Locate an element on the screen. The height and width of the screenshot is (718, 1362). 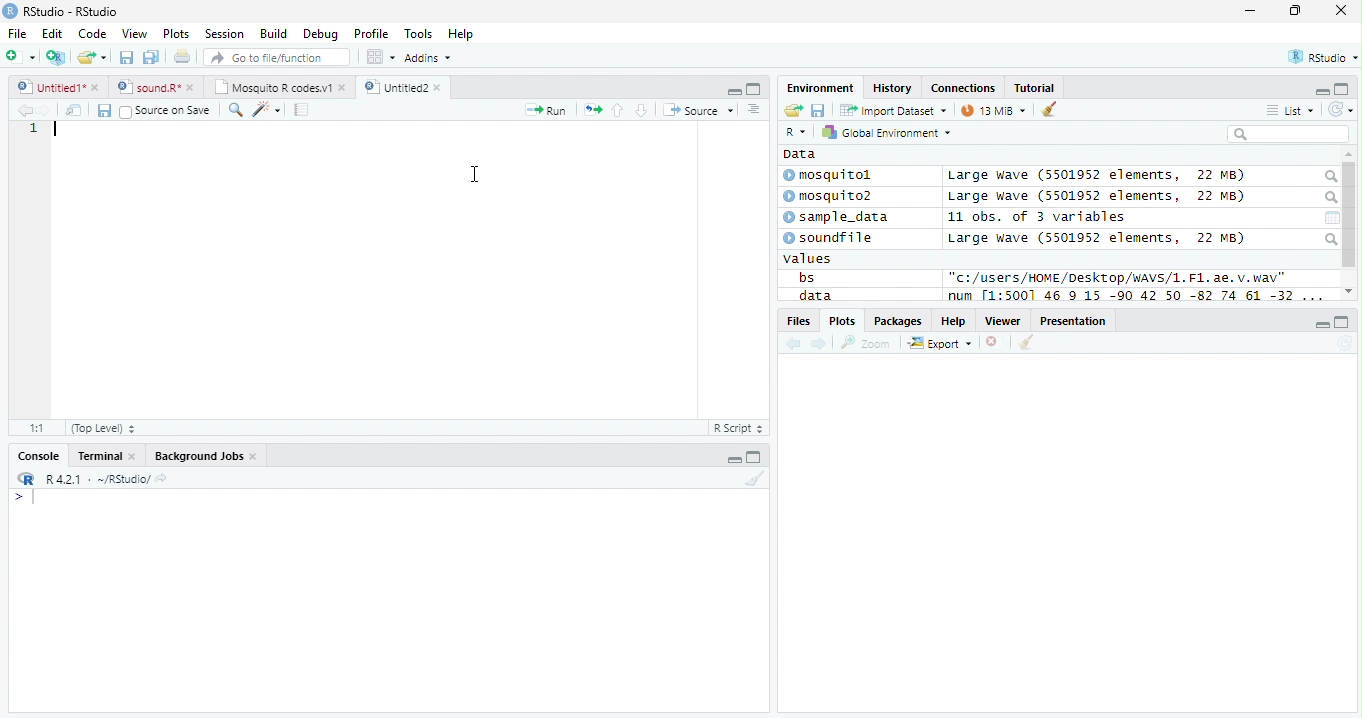
Go to previous section is located at coordinates (616, 110).